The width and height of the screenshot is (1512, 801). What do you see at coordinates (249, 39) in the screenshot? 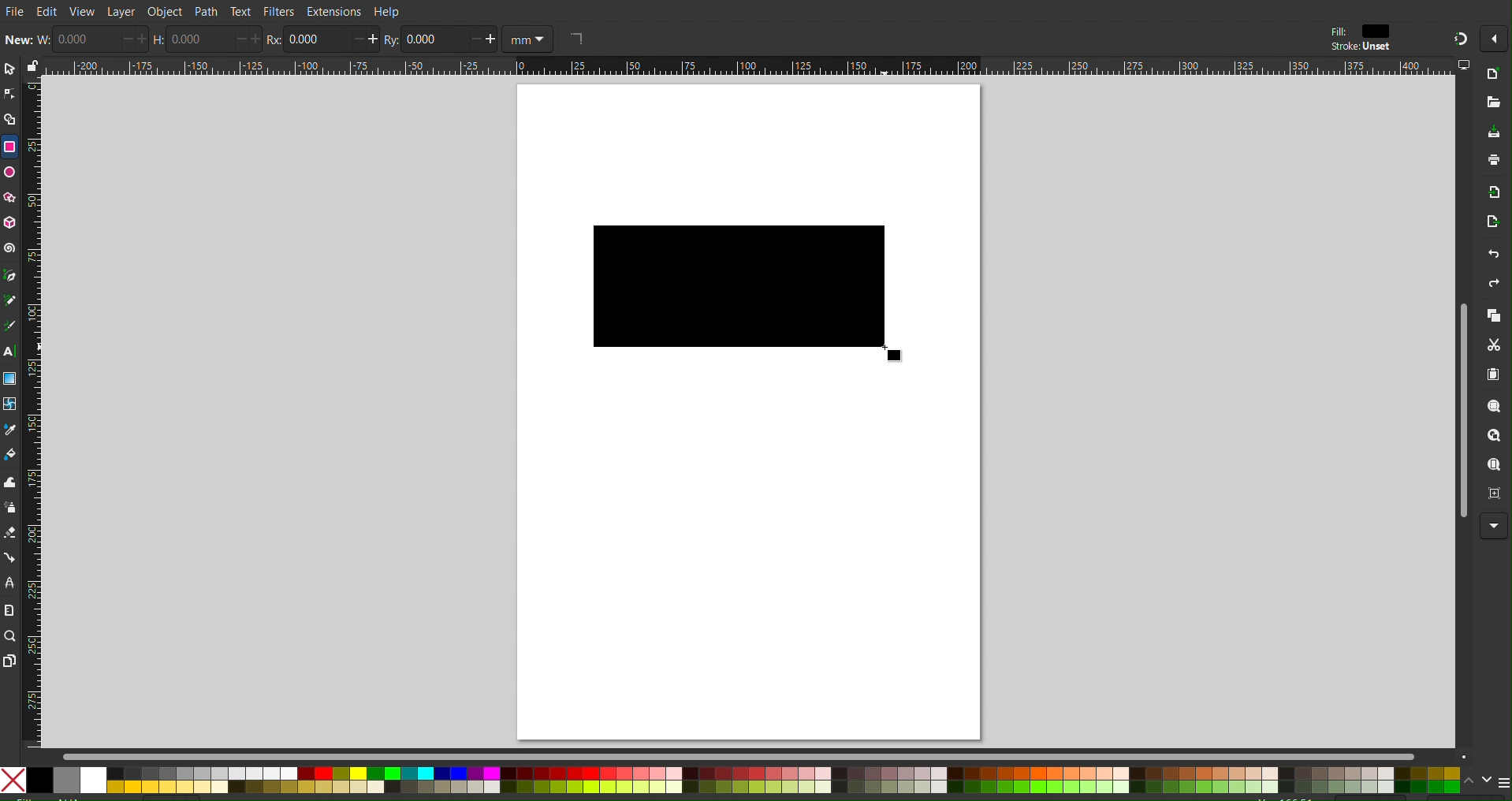
I see `increase/decrease` at bounding box center [249, 39].